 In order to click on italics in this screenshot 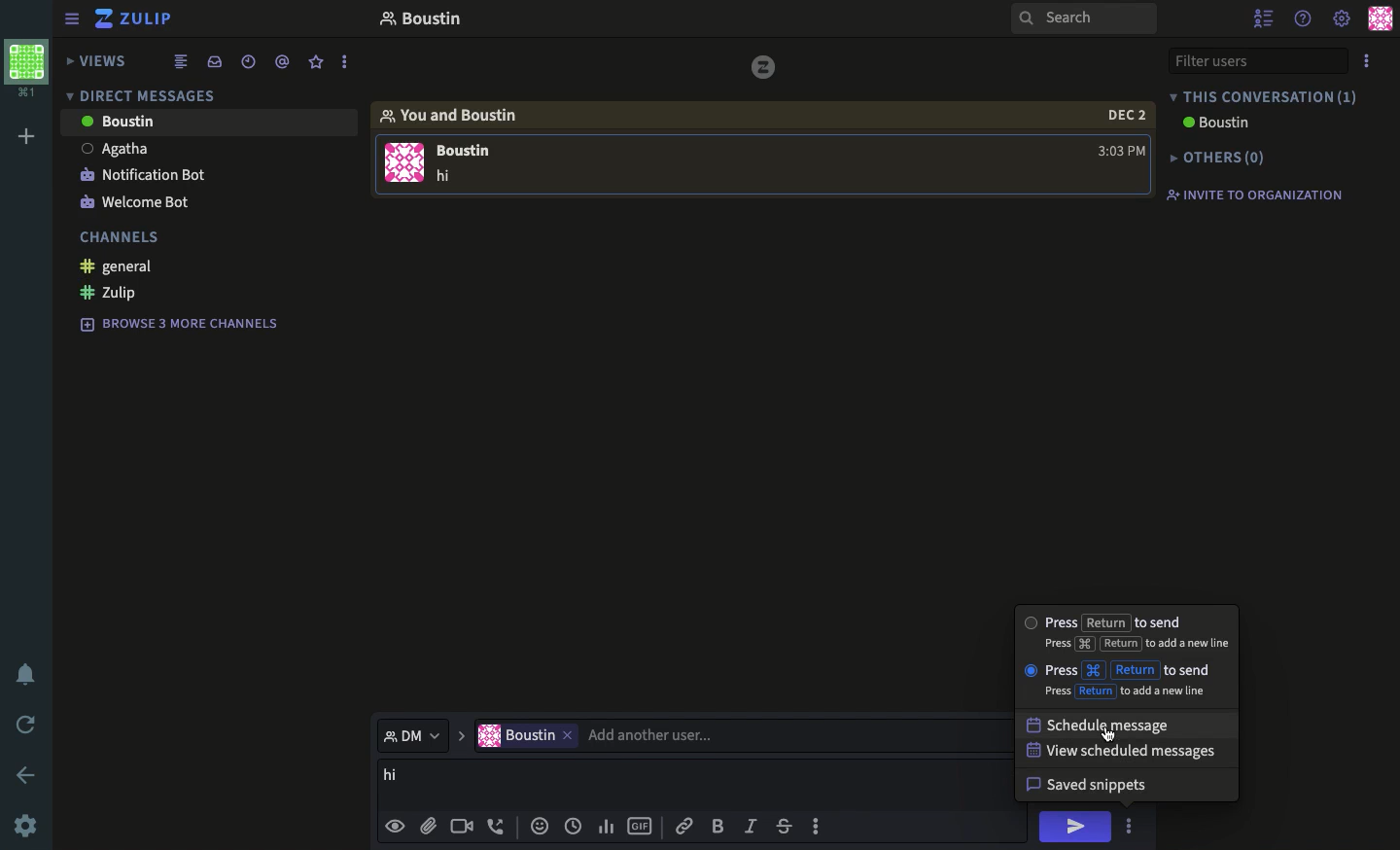, I will do `click(752, 825)`.